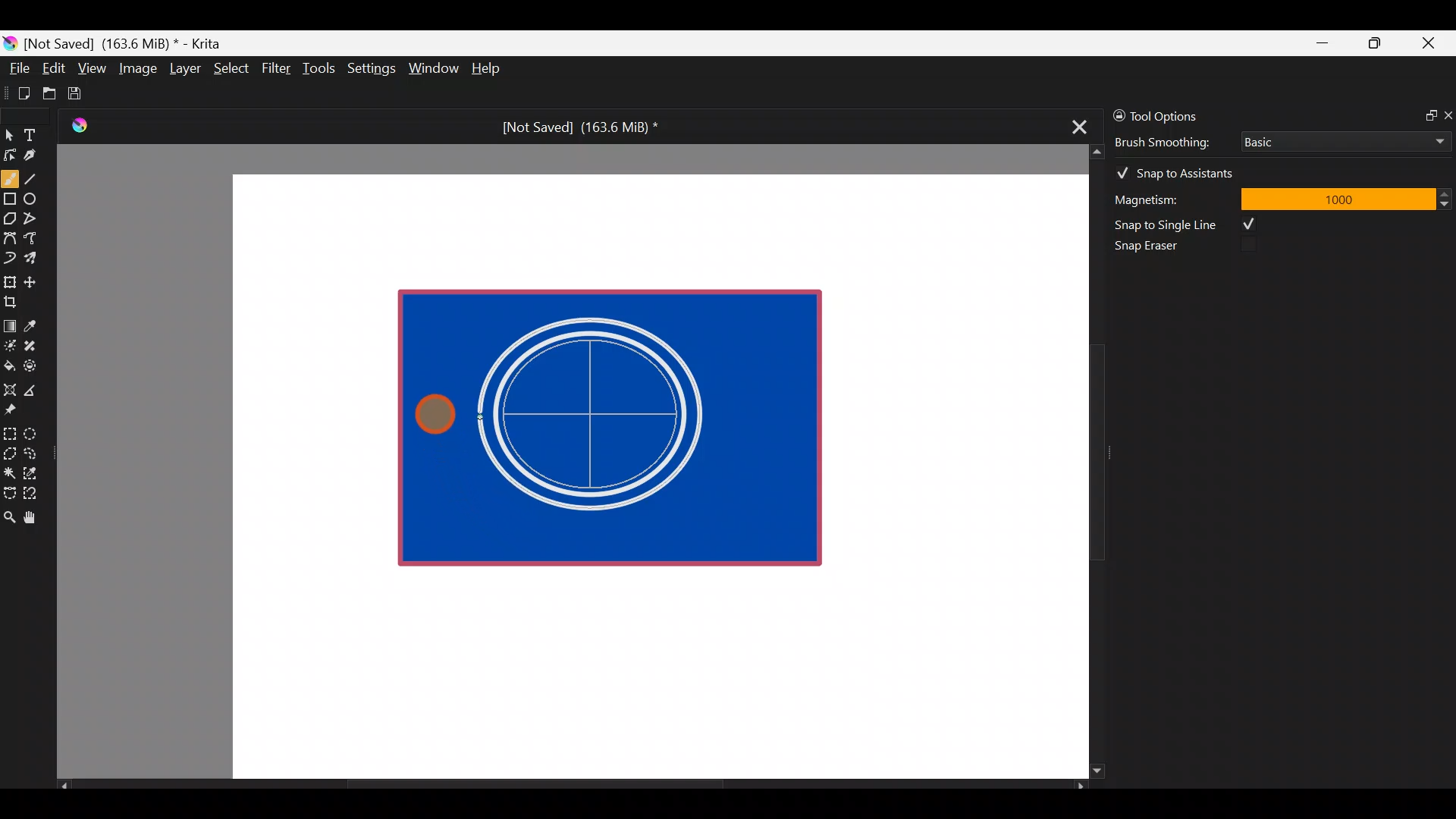 Image resolution: width=1456 pixels, height=819 pixels. I want to click on Crop the image to an area, so click(15, 301).